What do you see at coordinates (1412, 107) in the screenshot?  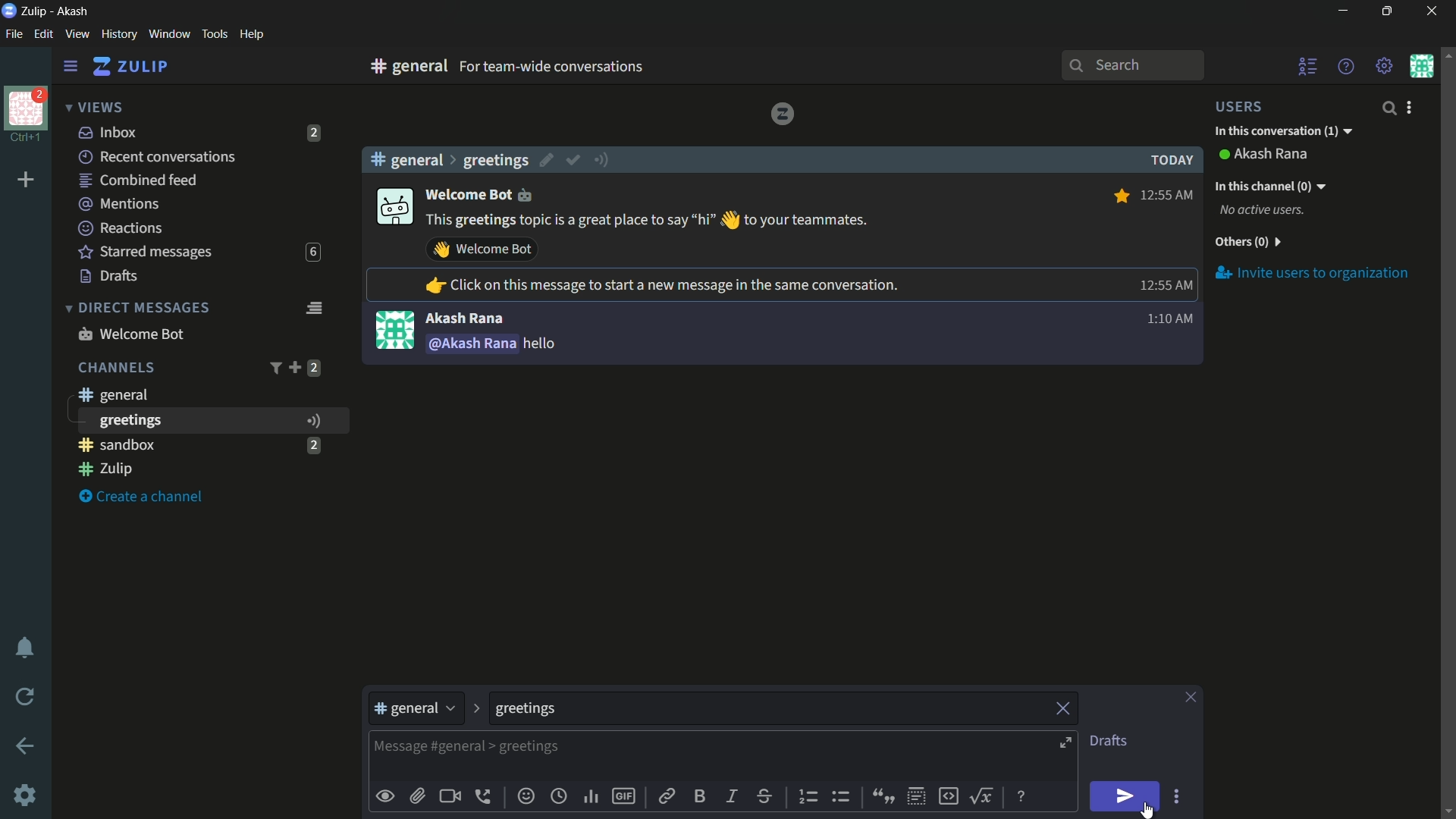 I see `user settings` at bounding box center [1412, 107].